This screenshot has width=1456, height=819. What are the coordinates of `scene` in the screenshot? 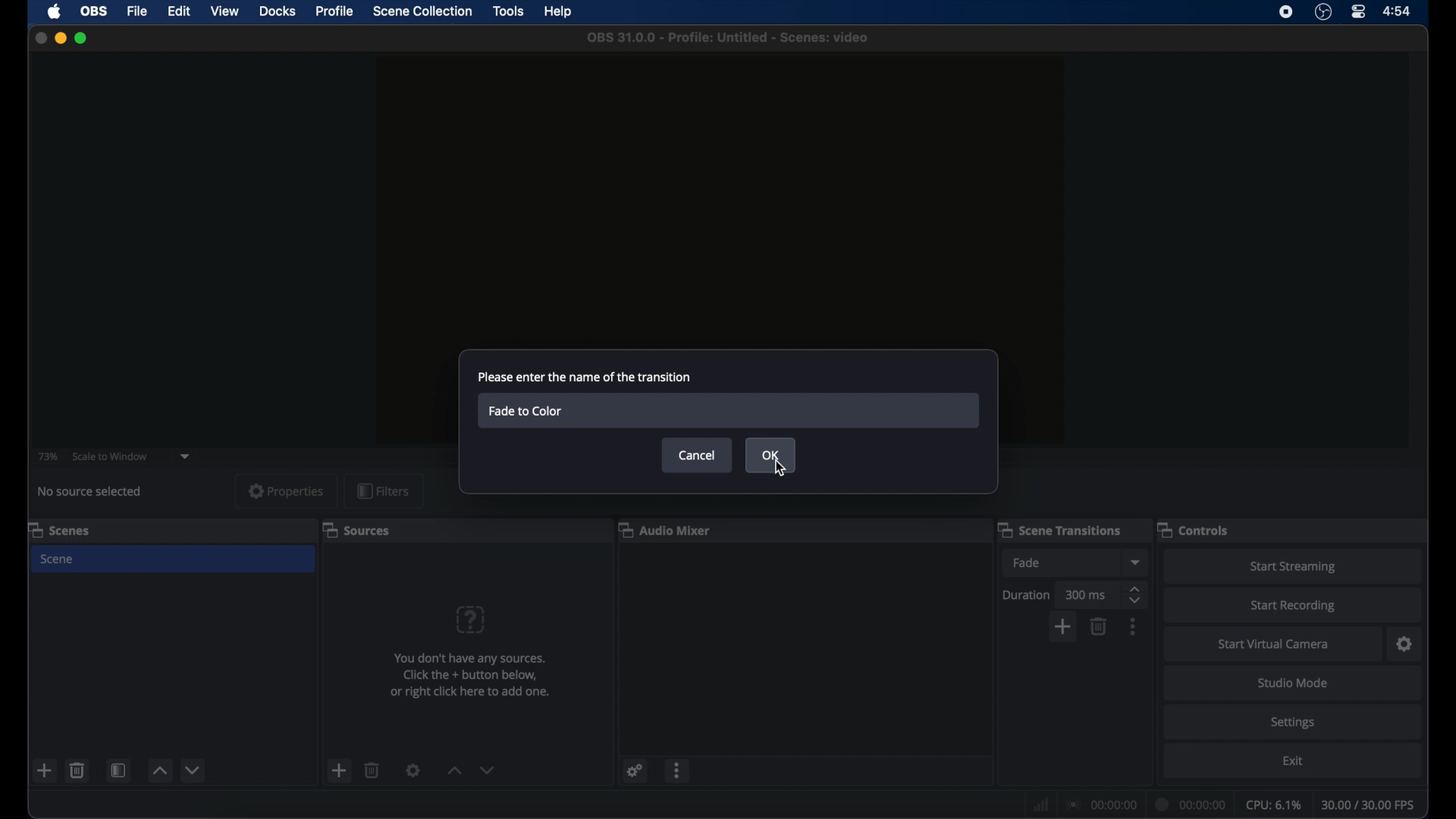 It's located at (58, 560).